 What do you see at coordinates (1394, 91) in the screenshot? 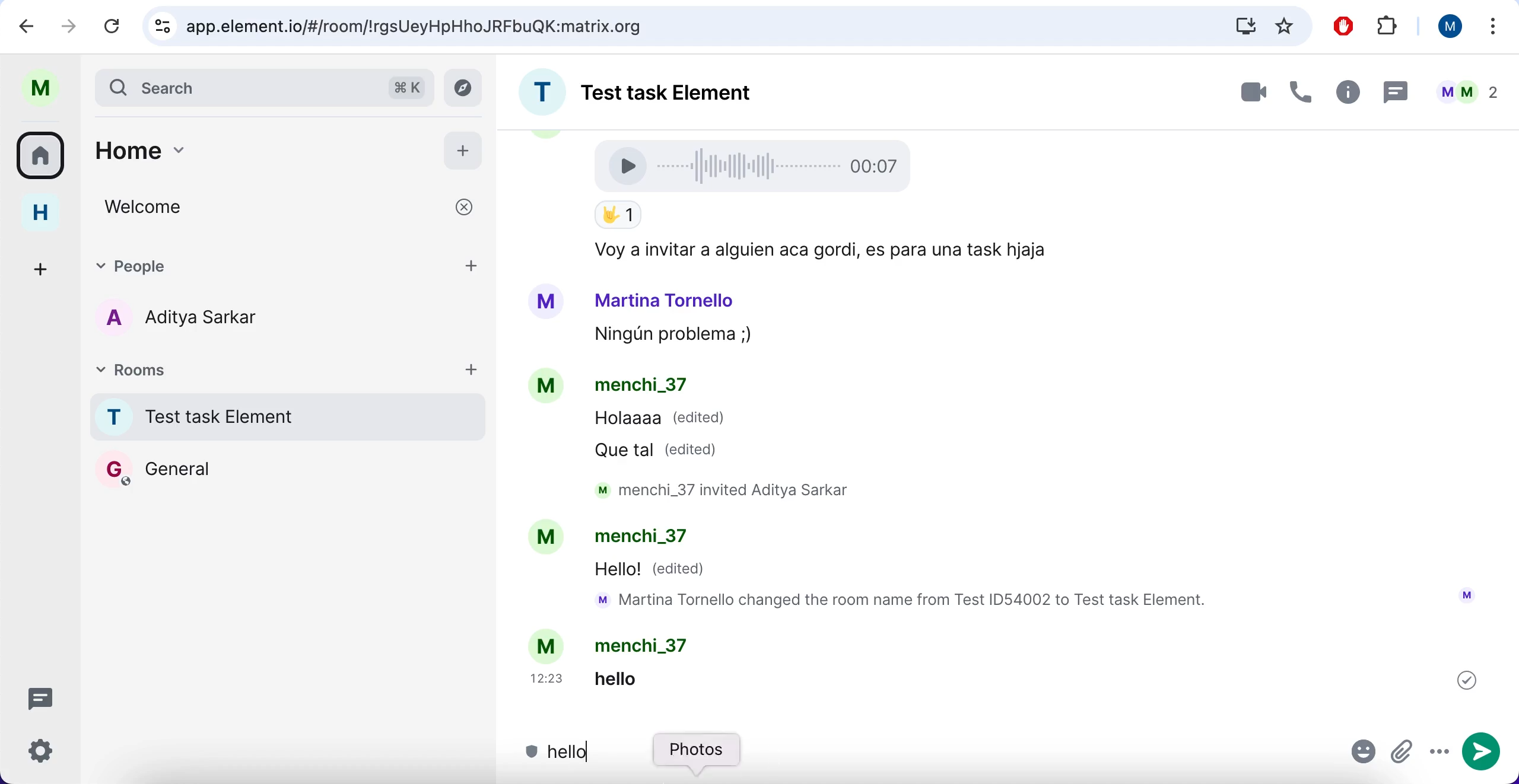
I see `thread` at bounding box center [1394, 91].